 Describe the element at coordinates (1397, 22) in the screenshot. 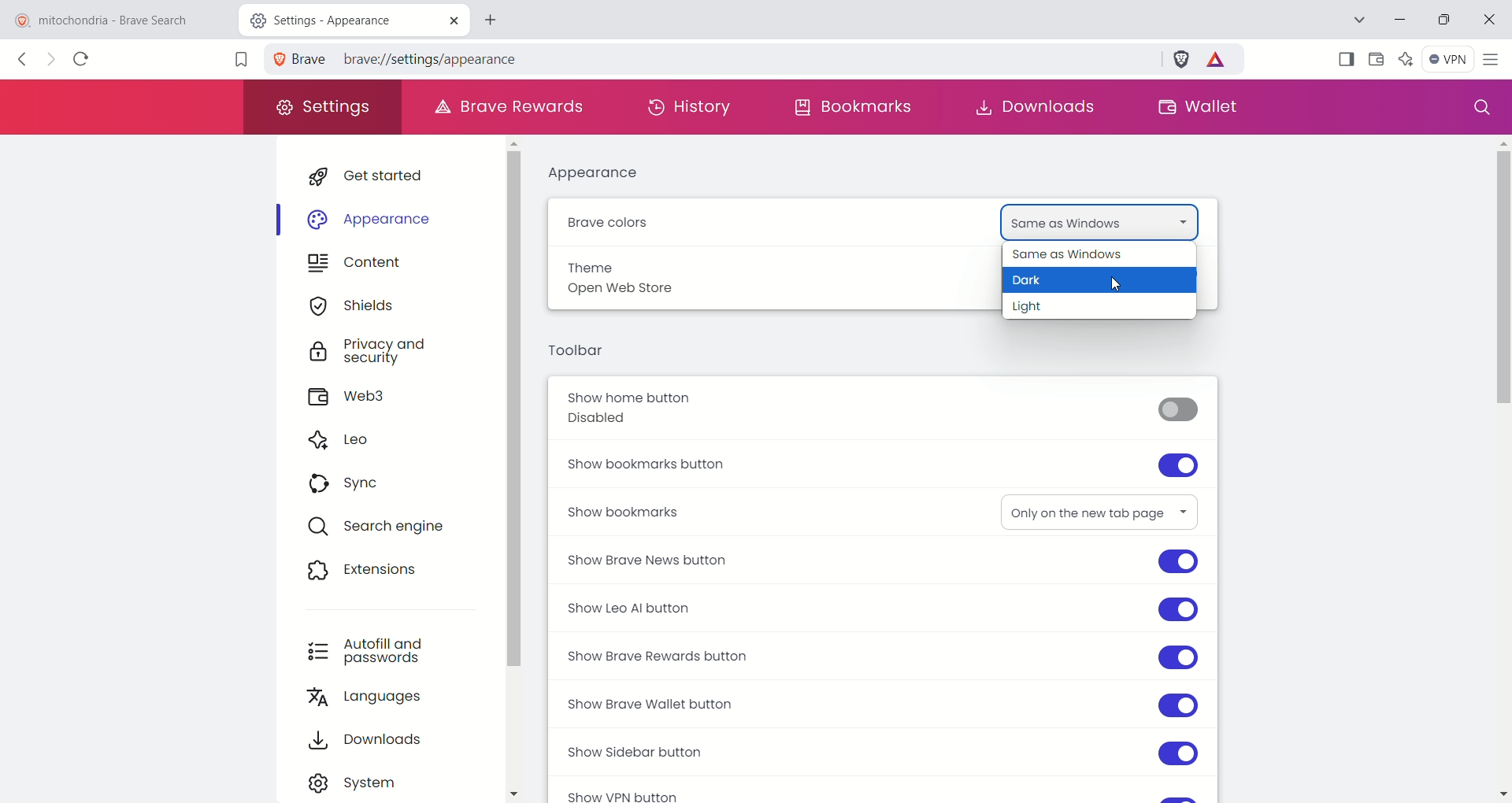

I see `minimize` at that location.